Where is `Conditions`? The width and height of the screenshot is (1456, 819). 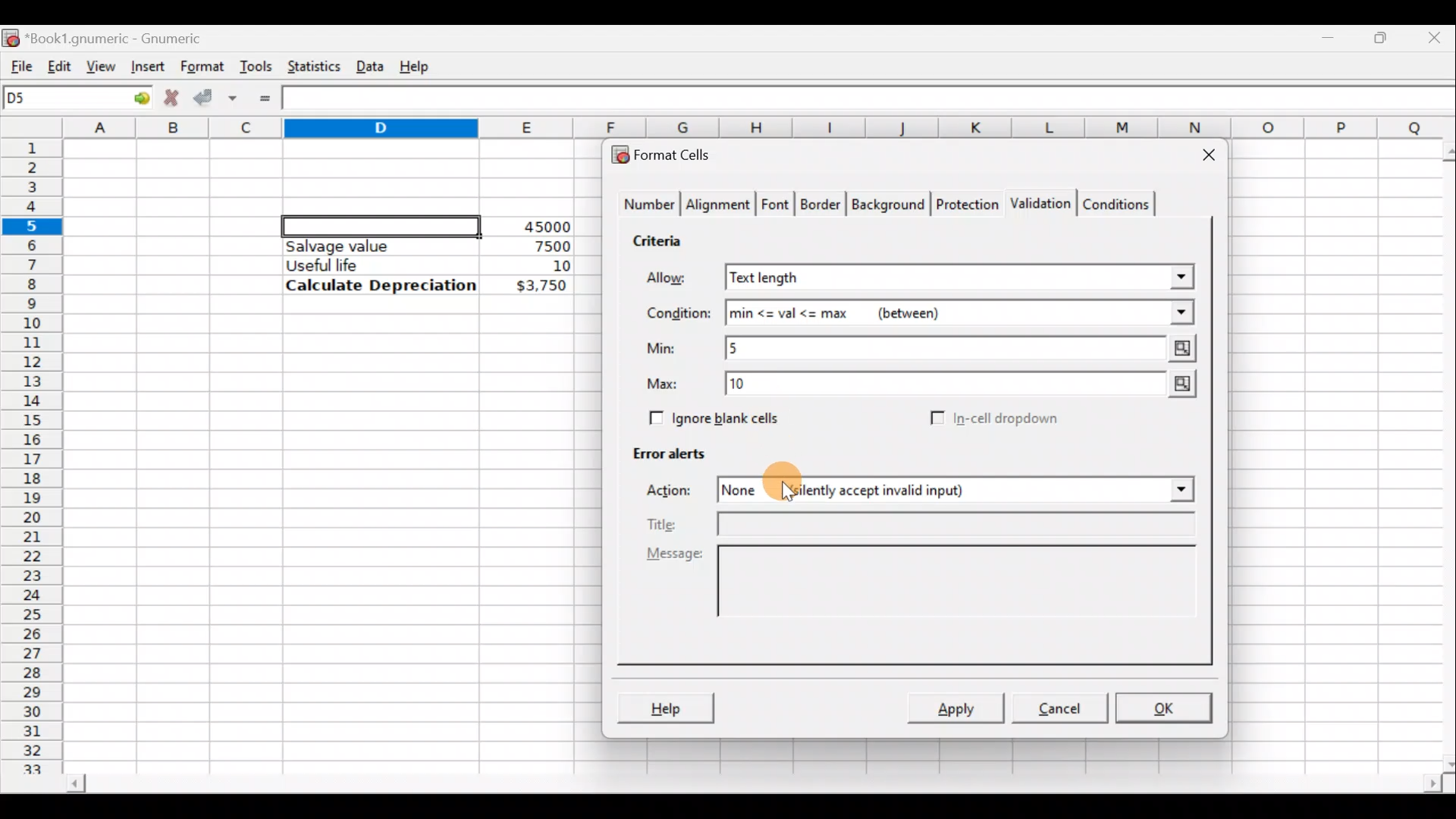 Conditions is located at coordinates (1116, 203).